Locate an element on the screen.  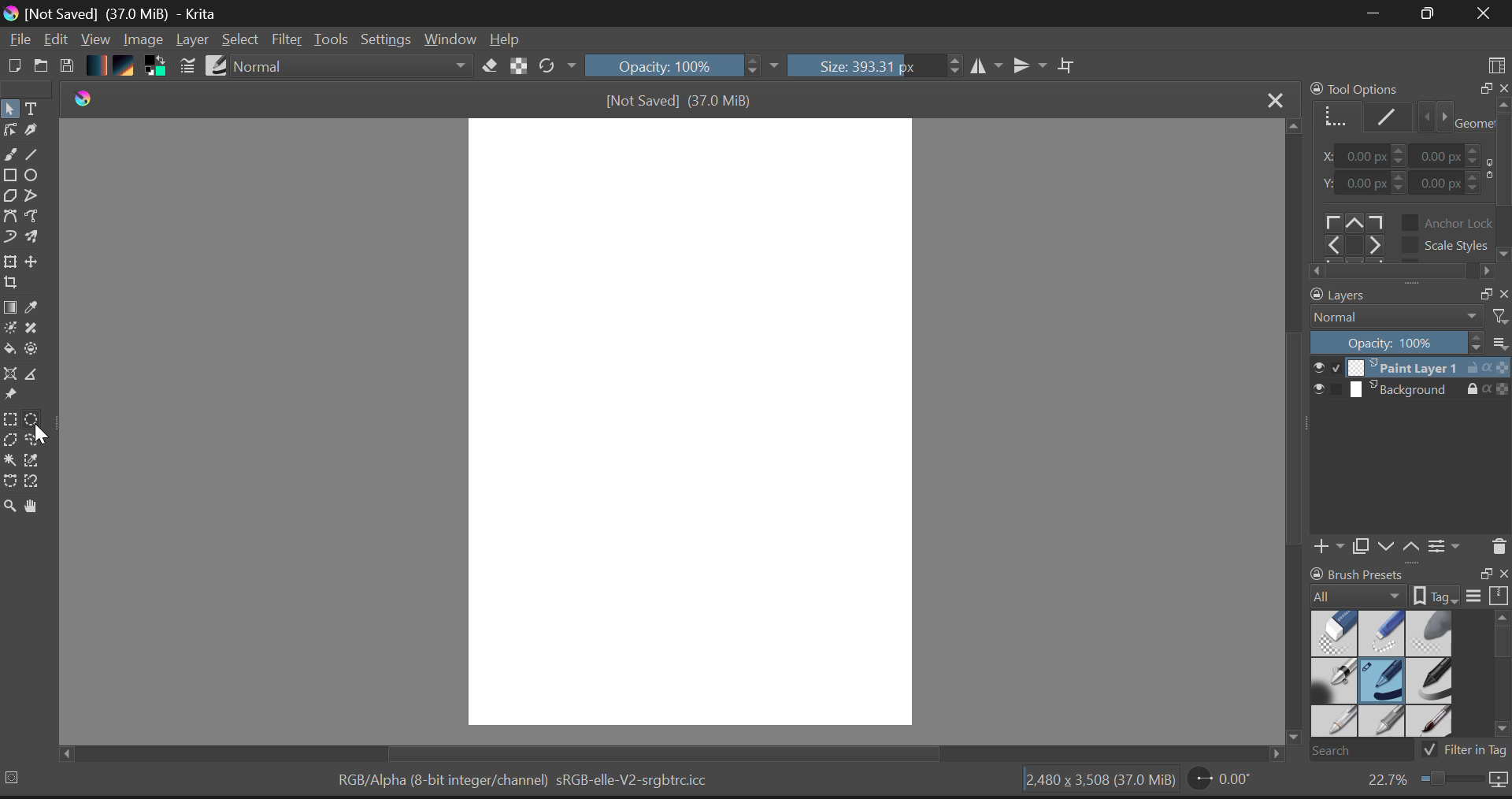
Dynamic Brush Tool is located at coordinates (9, 237).